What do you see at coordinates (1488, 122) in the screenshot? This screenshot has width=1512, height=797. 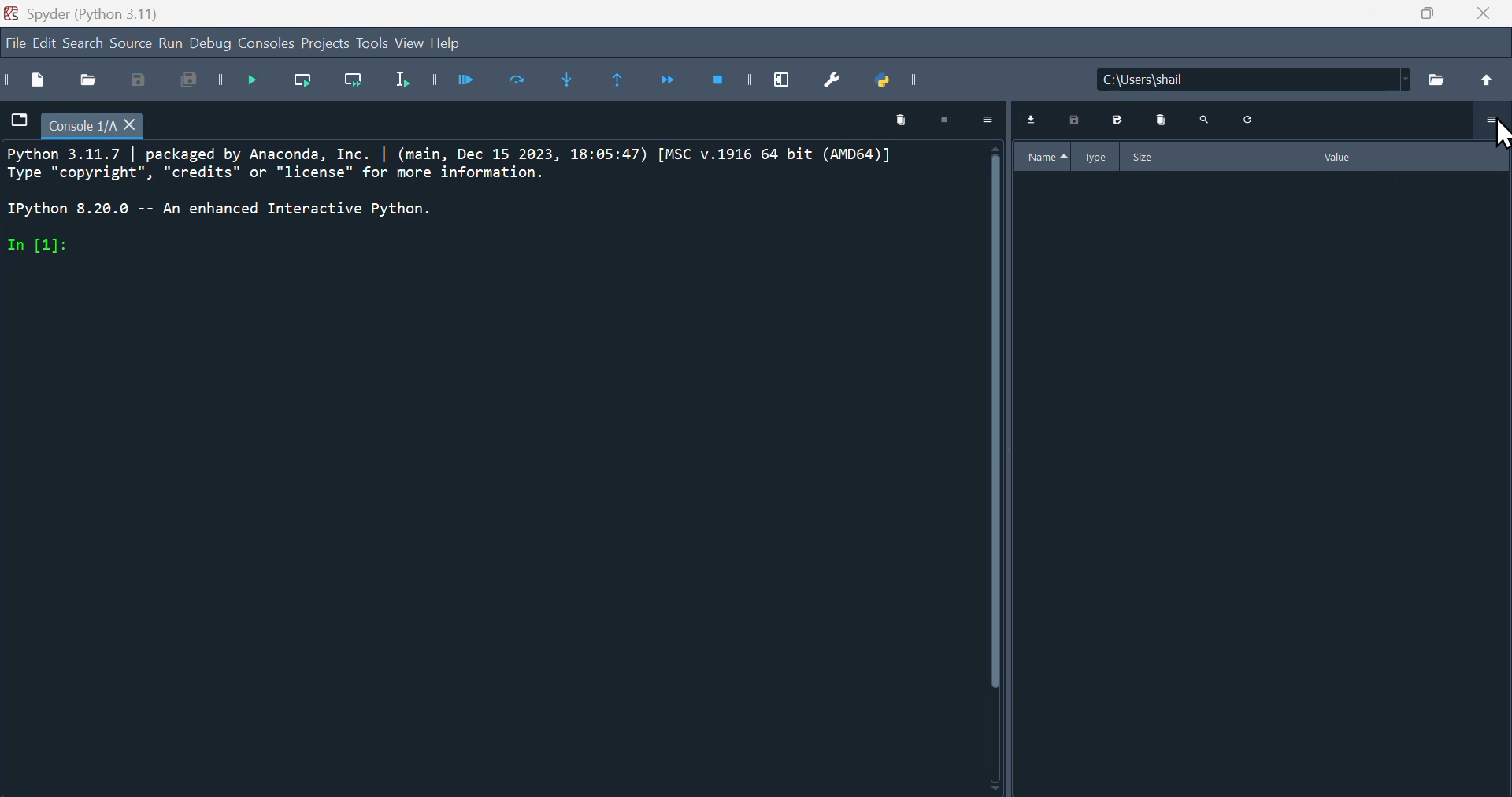 I see `More options` at bounding box center [1488, 122].